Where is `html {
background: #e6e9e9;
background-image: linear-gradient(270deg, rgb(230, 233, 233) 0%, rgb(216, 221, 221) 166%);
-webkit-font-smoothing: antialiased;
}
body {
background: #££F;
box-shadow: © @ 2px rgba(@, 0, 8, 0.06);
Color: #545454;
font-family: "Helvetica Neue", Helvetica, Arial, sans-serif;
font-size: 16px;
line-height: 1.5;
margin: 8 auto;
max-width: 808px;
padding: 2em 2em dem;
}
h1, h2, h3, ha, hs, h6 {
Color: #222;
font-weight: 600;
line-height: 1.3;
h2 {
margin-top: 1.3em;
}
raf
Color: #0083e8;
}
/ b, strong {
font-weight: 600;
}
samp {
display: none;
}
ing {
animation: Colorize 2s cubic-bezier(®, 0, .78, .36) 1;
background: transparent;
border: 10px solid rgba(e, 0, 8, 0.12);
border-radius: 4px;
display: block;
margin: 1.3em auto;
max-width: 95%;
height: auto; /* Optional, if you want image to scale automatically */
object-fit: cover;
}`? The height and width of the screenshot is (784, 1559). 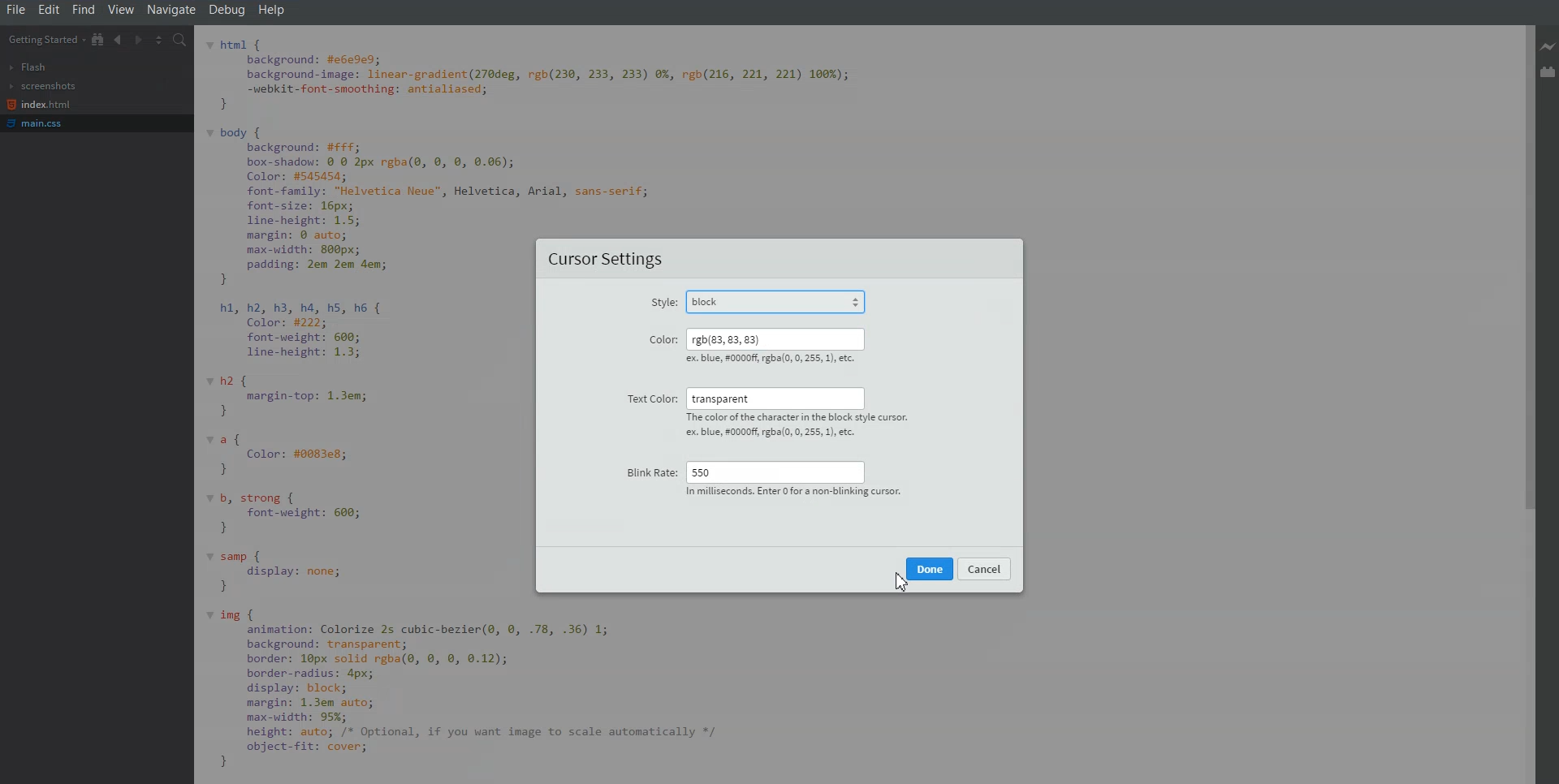
html {
background: #e6e9e9;
background-image: linear-gradient(270deg, rgb(230, 233, 233) 0%, rgb(216, 221, 221) 166%);
-webkit-font-smoothing: antialiased;
}
body {
background: #££F;
box-shadow: © @ 2px rgba(@, 0, 8, 0.06);
Color: #545454;
font-family: "Helvetica Neue", Helvetica, Arial, sans-serif;
font-size: 16px;
line-height: 1.5;
margin: 8 auto;
max-width: 808px;
padding: 2em 2em dem;
}
h1, h2, h3, ha, hs, h6 {
Color: #222;
font-weight: 600;
line-height: 1.3;
h2 {
margin-top: 1.3em;
}
raf
Color: #0083e8;
}
/ b, strong {
font-weight: 600;
}
samp {
display: none;
}
ing {
animation: Colorize 2s cubic-bezier(®, 0, .78, .36) 1;
background: transparent;
border: 10px solid rgba(e, 0, 8, 0.12);
border-radius: 4px;
display: block;
margin: 1.3em auto;
max-width: 95%;
height: auto; /* Optional, if you want image to scale automatically */
object-fit: cover;
} is located at coordinates (368, 407).